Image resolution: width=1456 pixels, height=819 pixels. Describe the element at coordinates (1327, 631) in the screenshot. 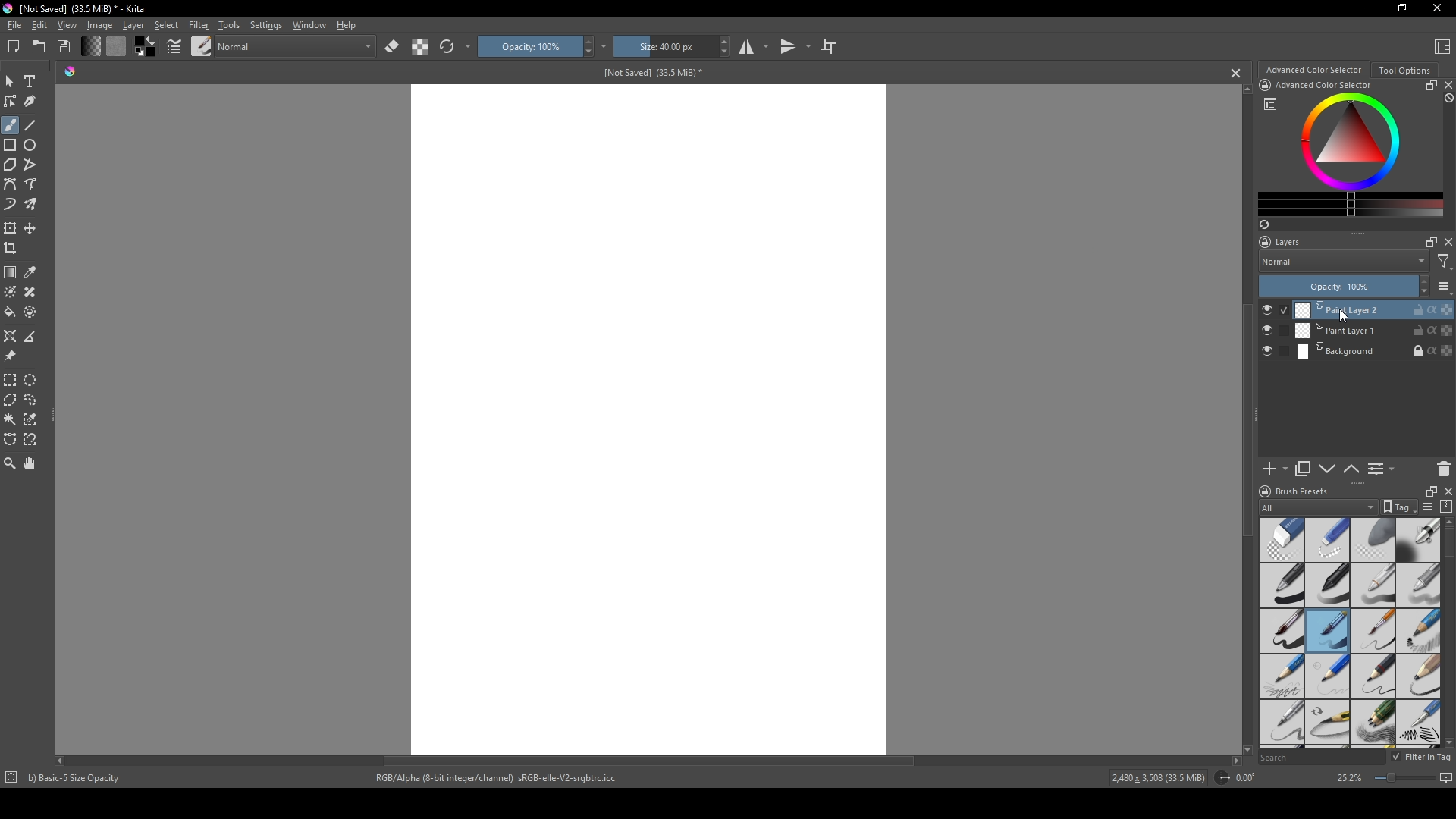

I see `medium brush` at that location.